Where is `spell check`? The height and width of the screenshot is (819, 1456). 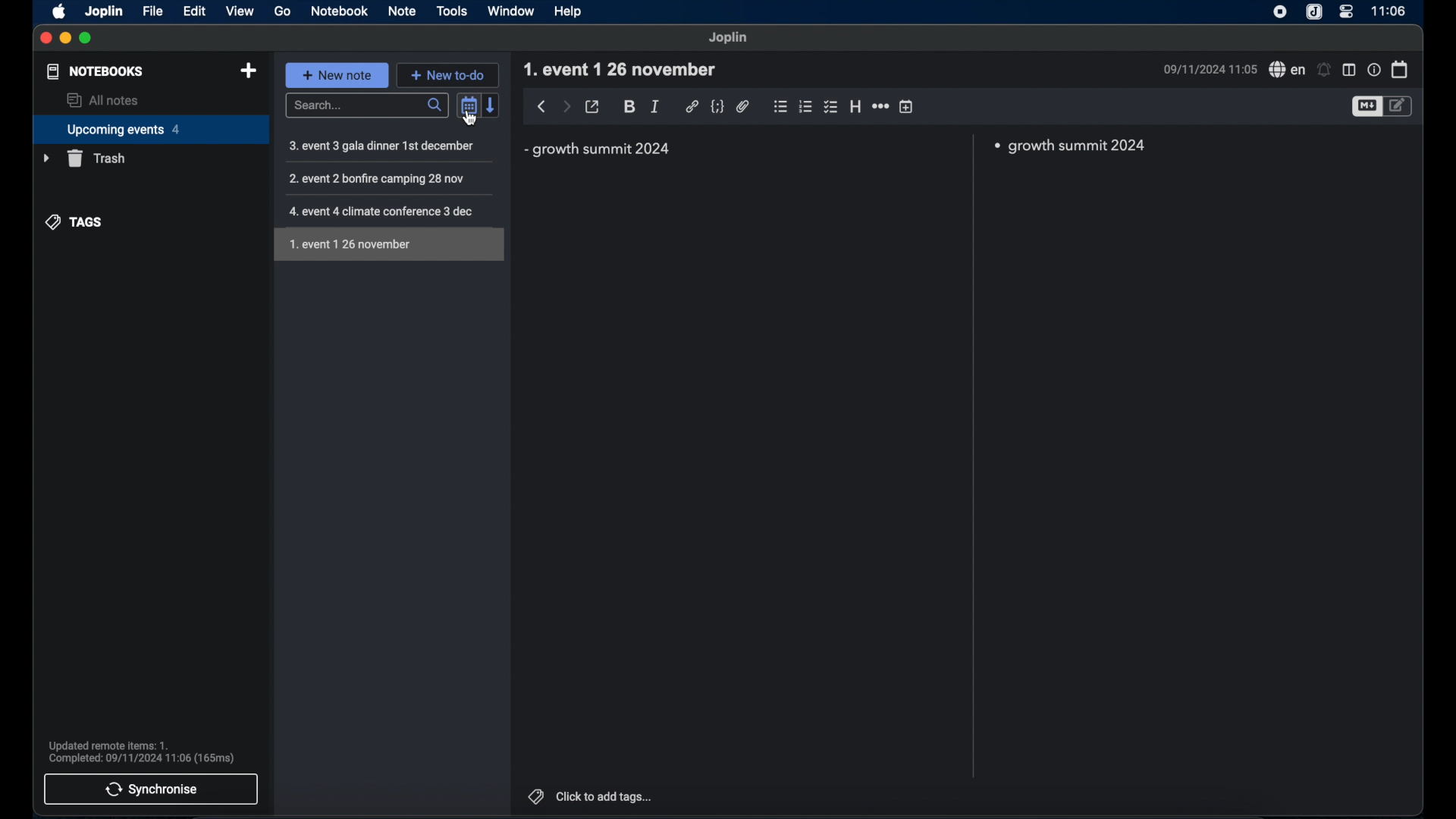
spell check is located at coordinates (1286, 69).